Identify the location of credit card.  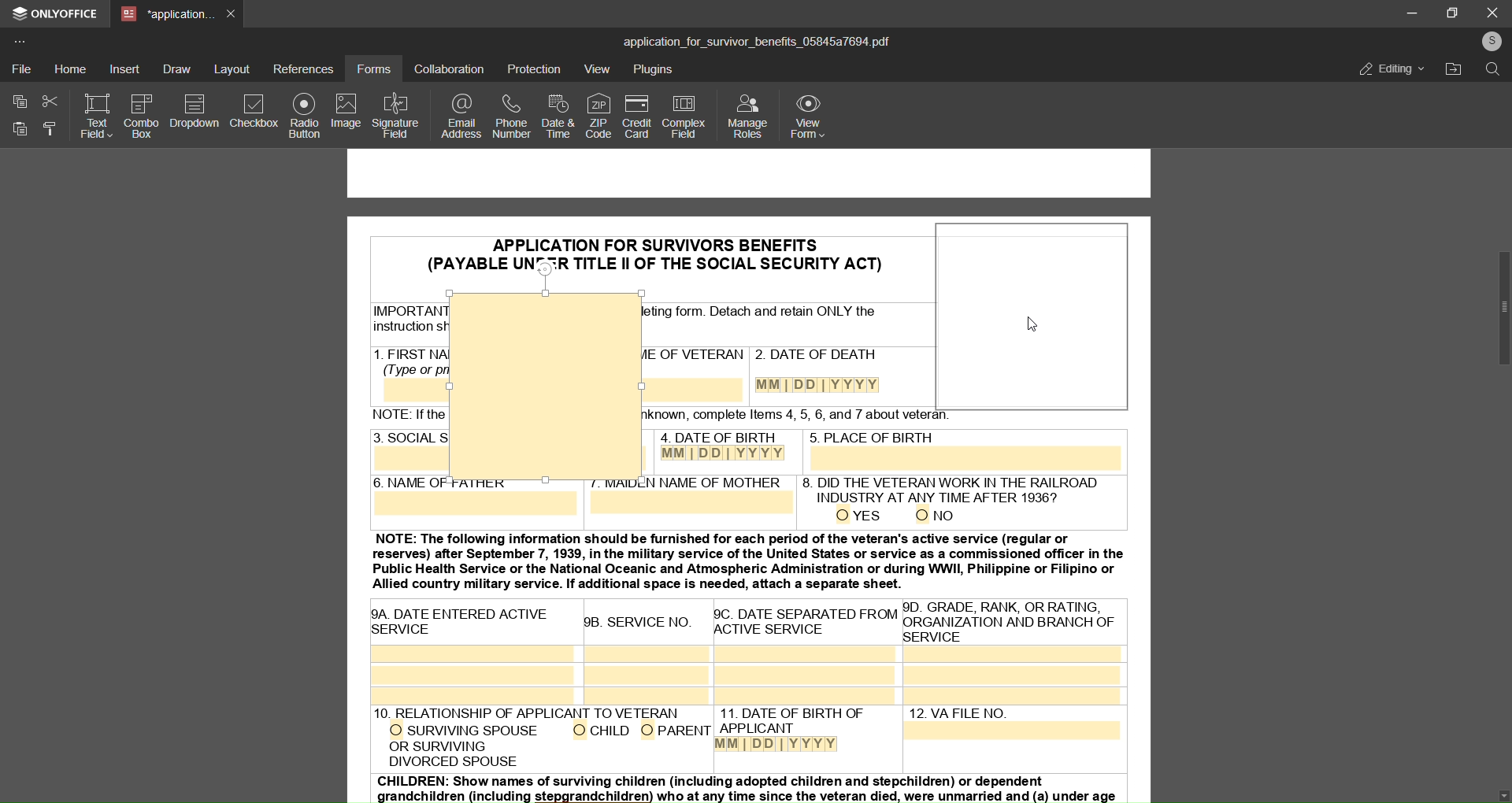
(635, 117).